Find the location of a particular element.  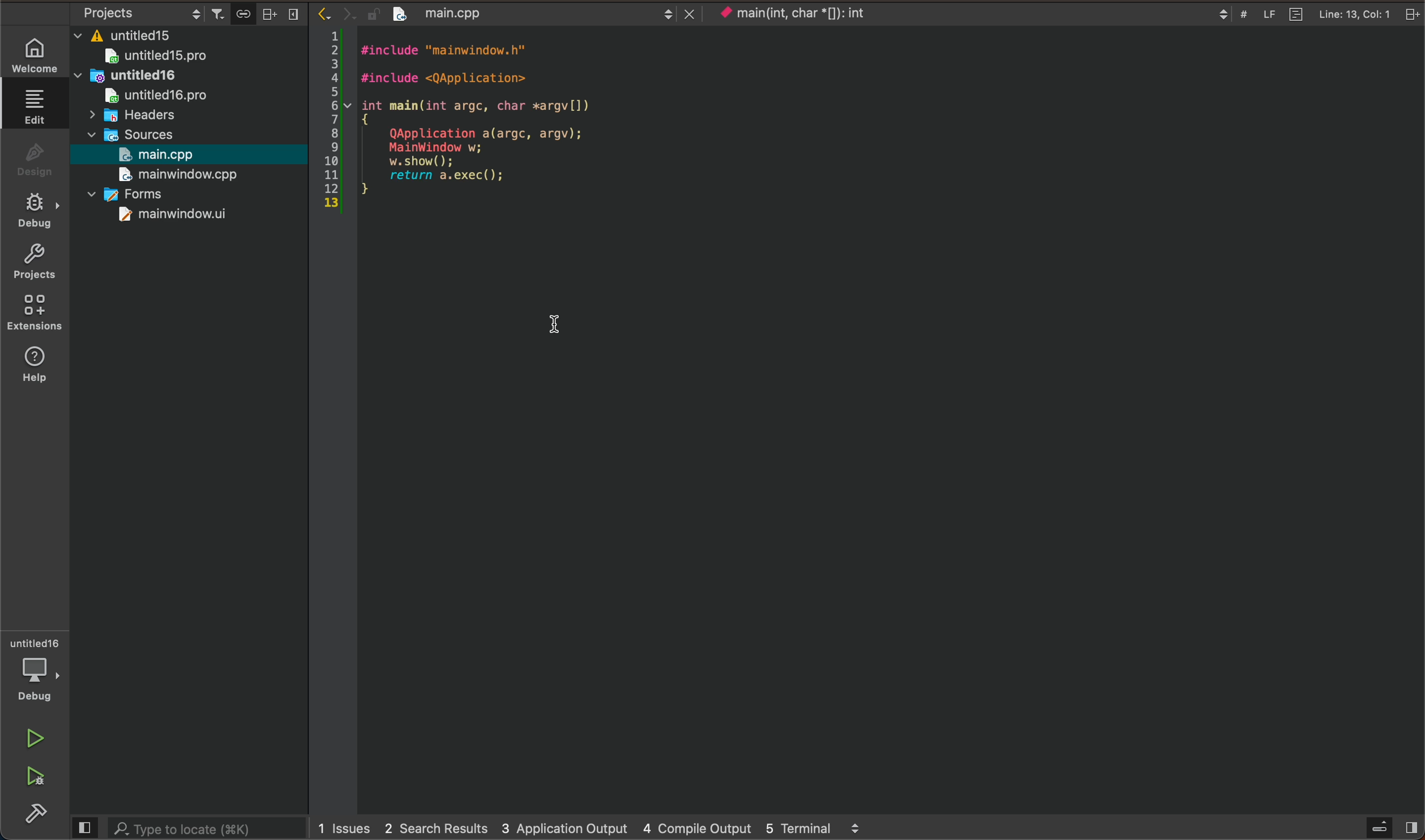

file content is located at coordinates (537, 138).